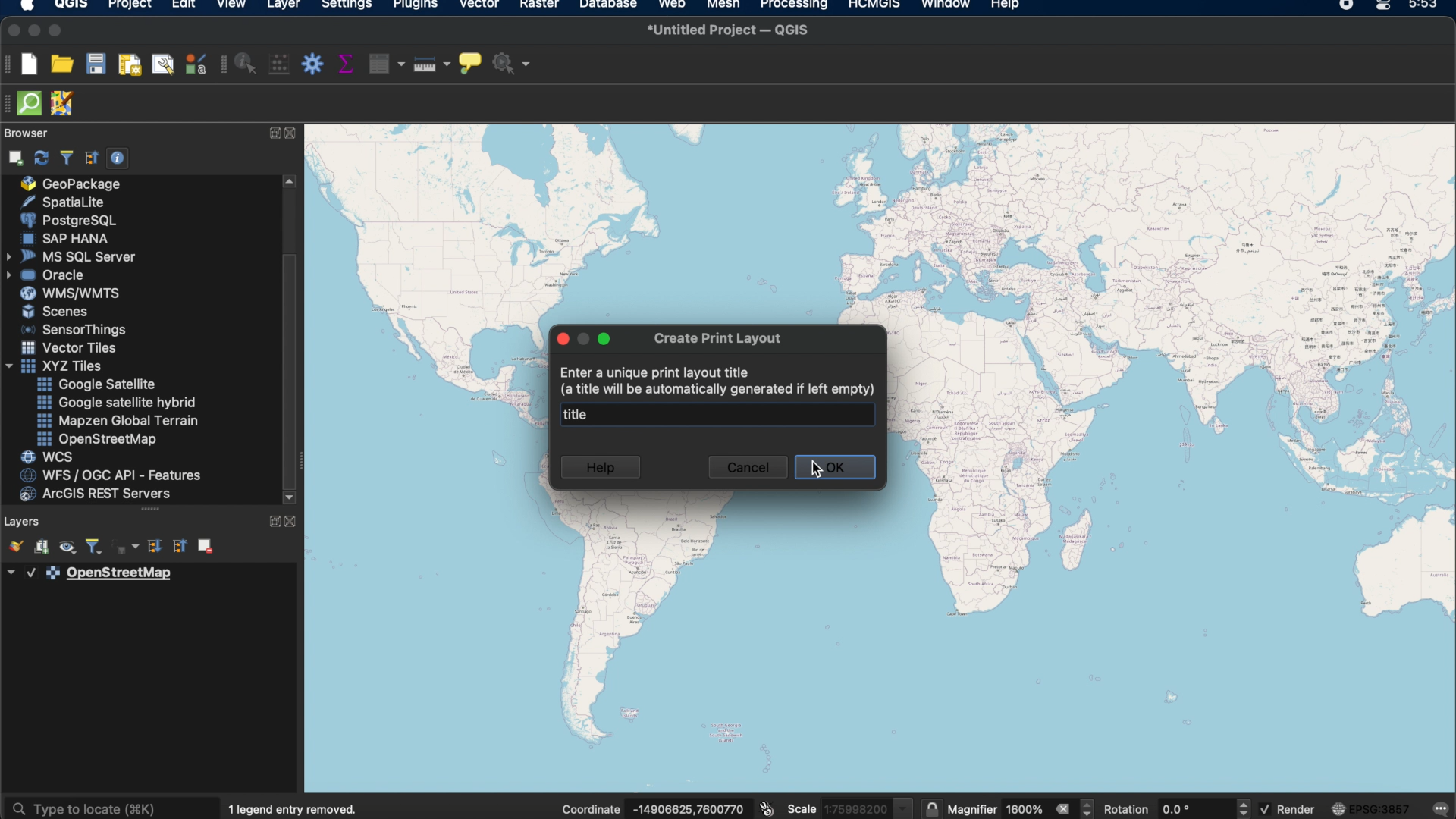  Describe the element at coordinates (69, 220) in the screenshot. I see `poster sql` at that location.